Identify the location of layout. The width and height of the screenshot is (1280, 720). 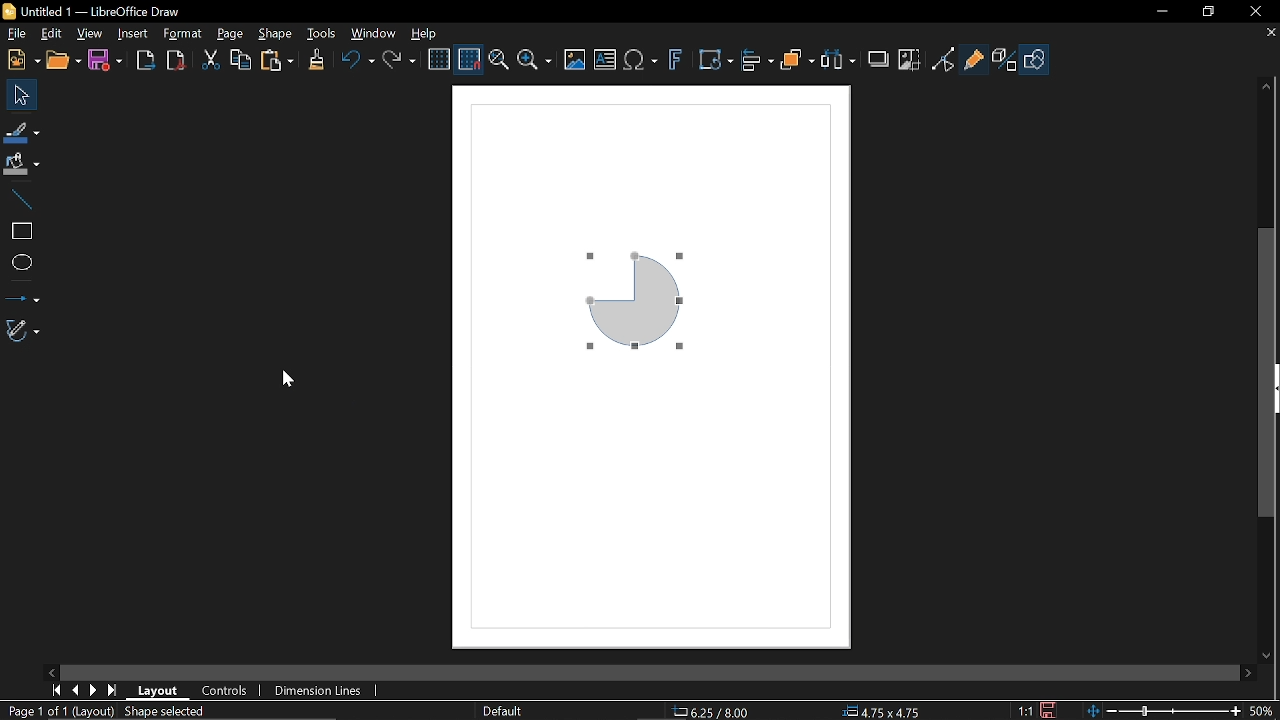
(159, 692).